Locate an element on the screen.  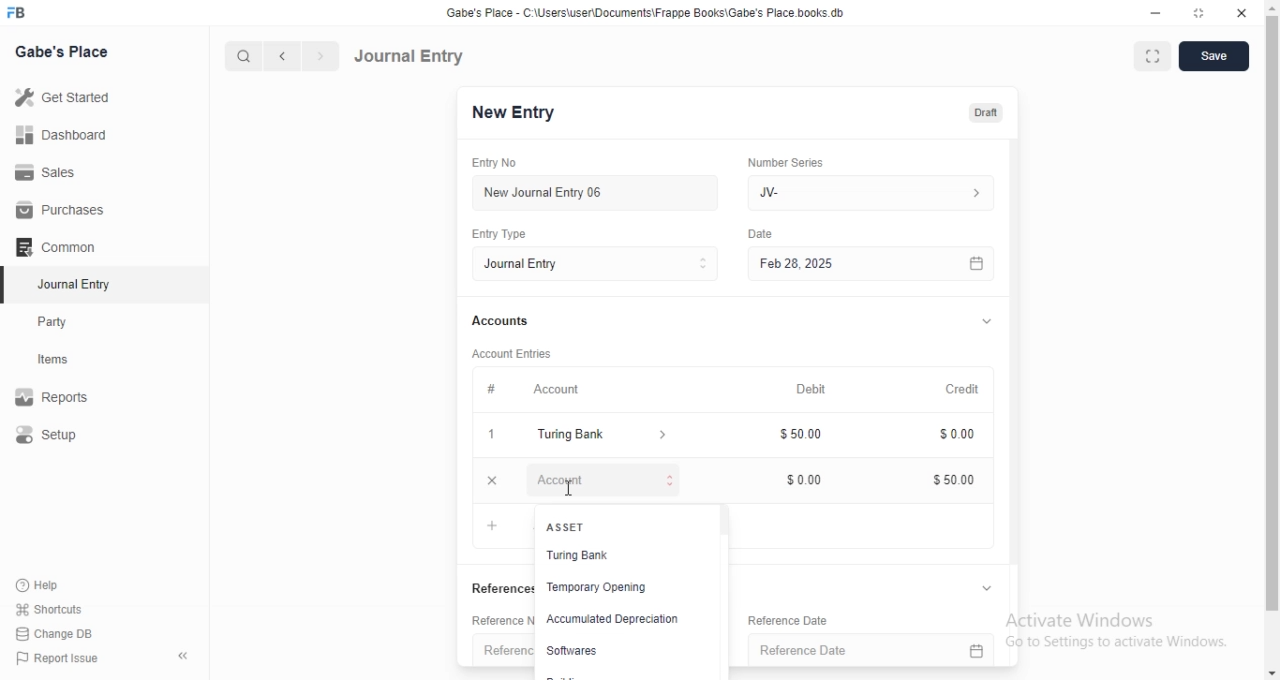
$000 is located at coordinates (967, 435).